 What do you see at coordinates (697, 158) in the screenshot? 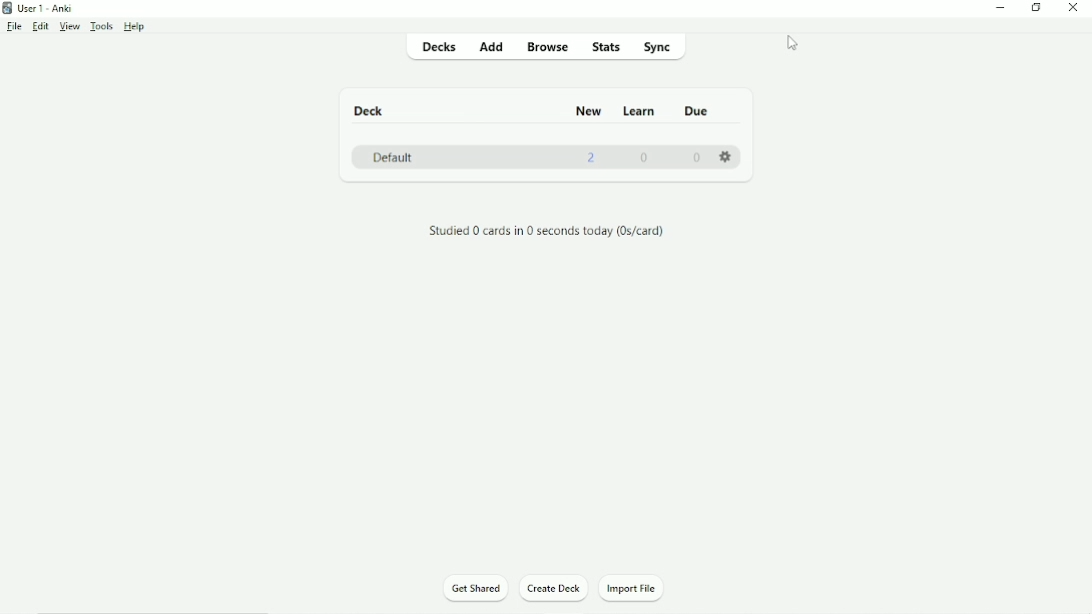
I see `0` at bounding box center [697, 158].